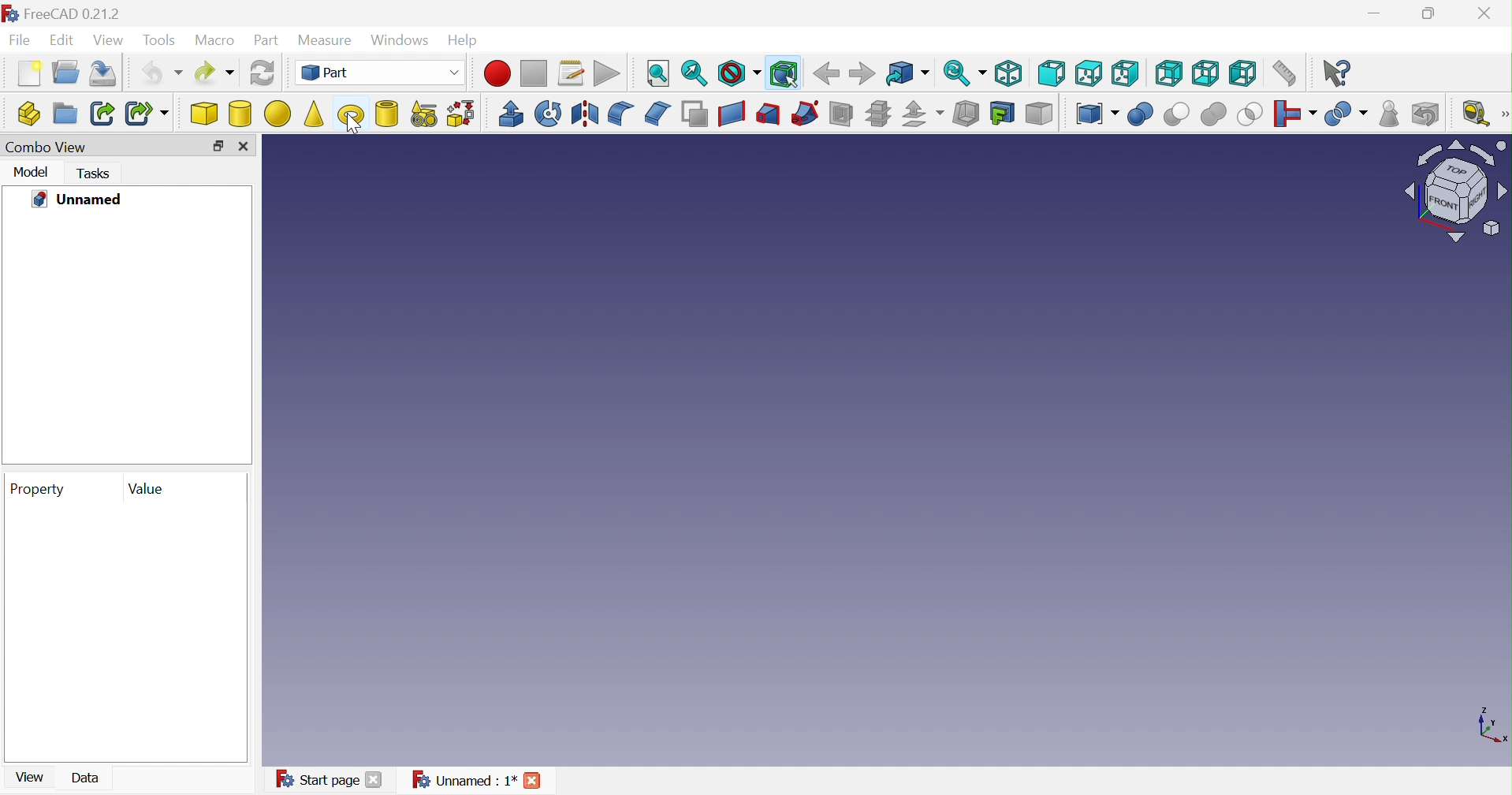 This screenshot has width=1512, height=795. Describe the element at coordinates (464, 114) in the screenshot. I see `Shape builder` at that location.